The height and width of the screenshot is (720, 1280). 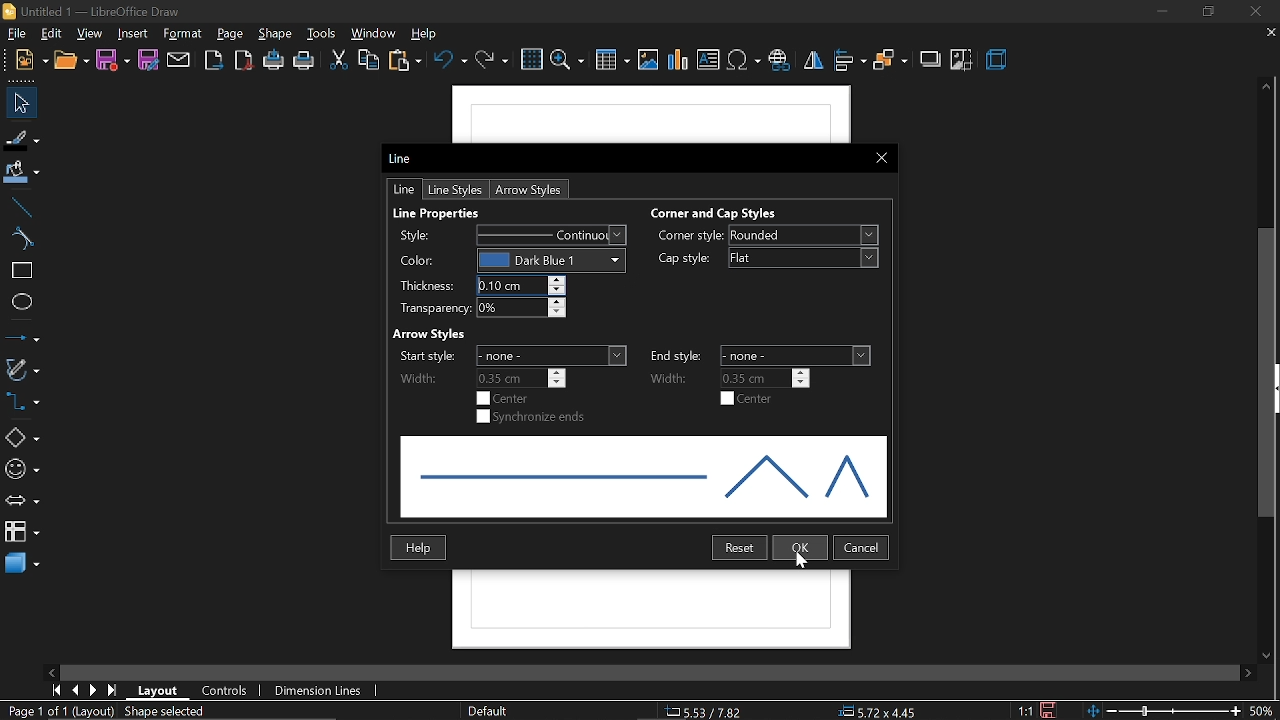 What do you see at coordinates (677, 354) in the screenshot?
I see `End style:` at bounding box center [677, 354].